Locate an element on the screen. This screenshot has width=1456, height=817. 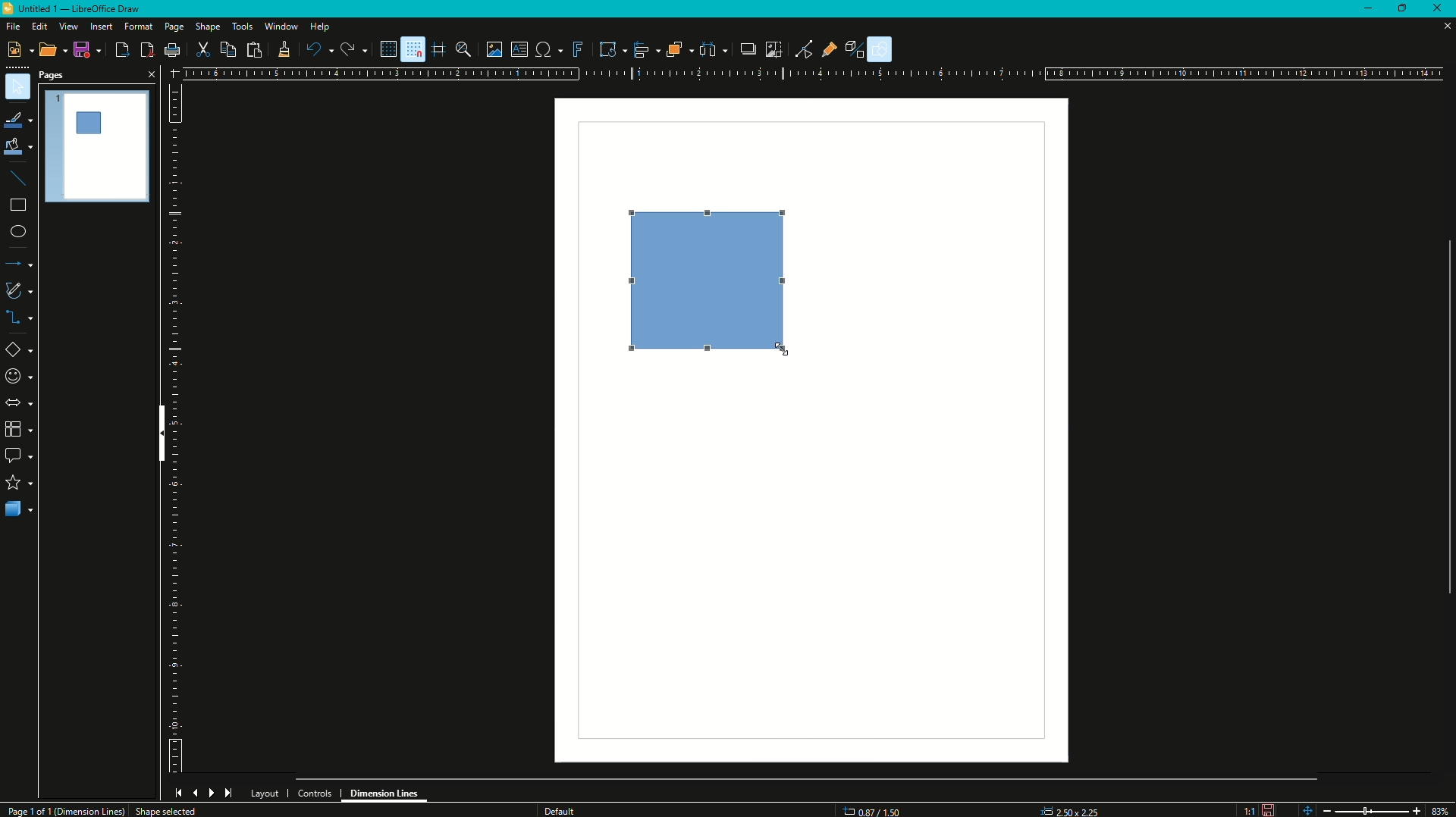
Square is located at coordinates (717, 282).